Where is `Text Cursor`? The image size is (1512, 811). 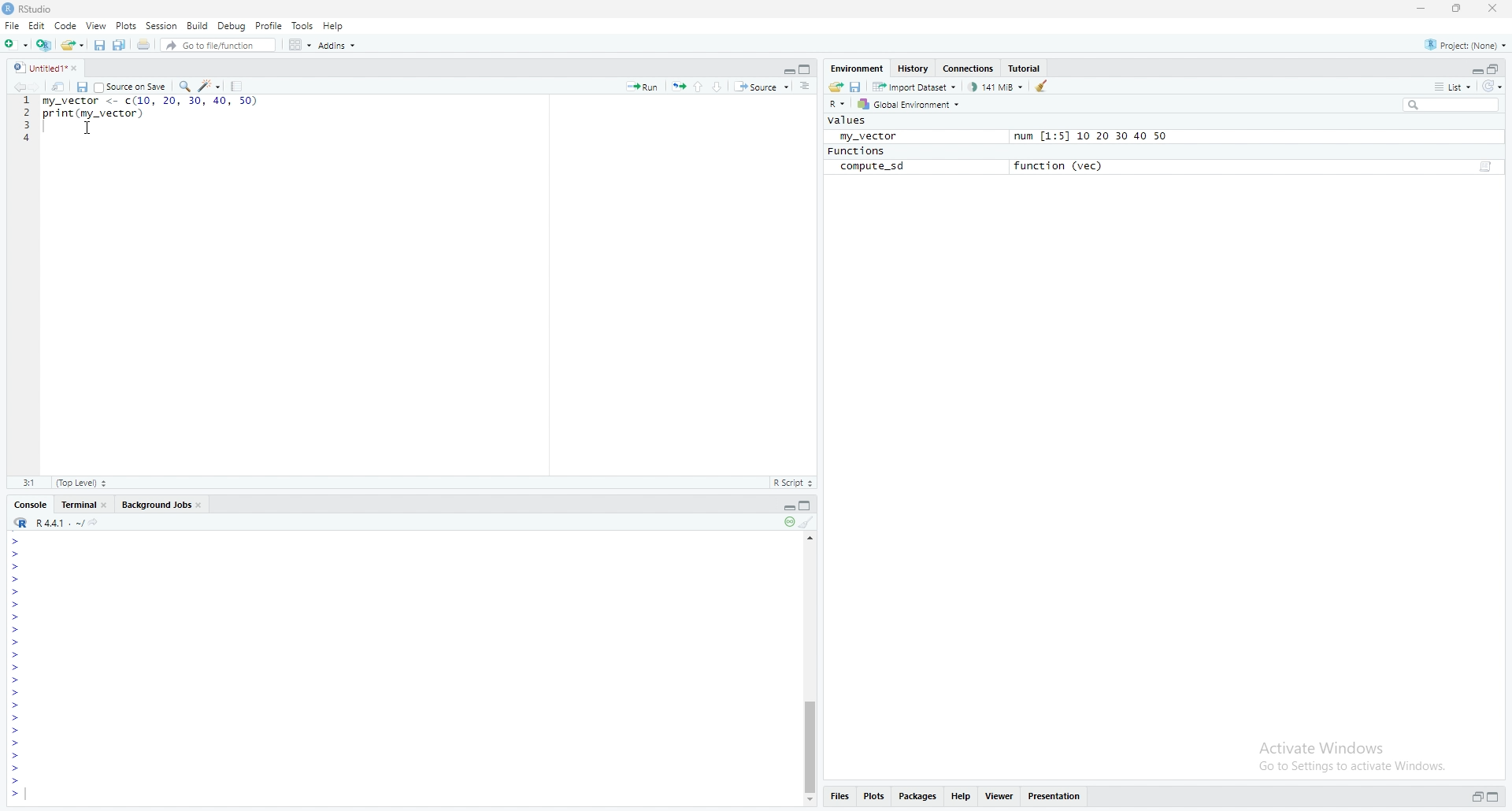
Text Cursor is located at coordinates (90, 129).